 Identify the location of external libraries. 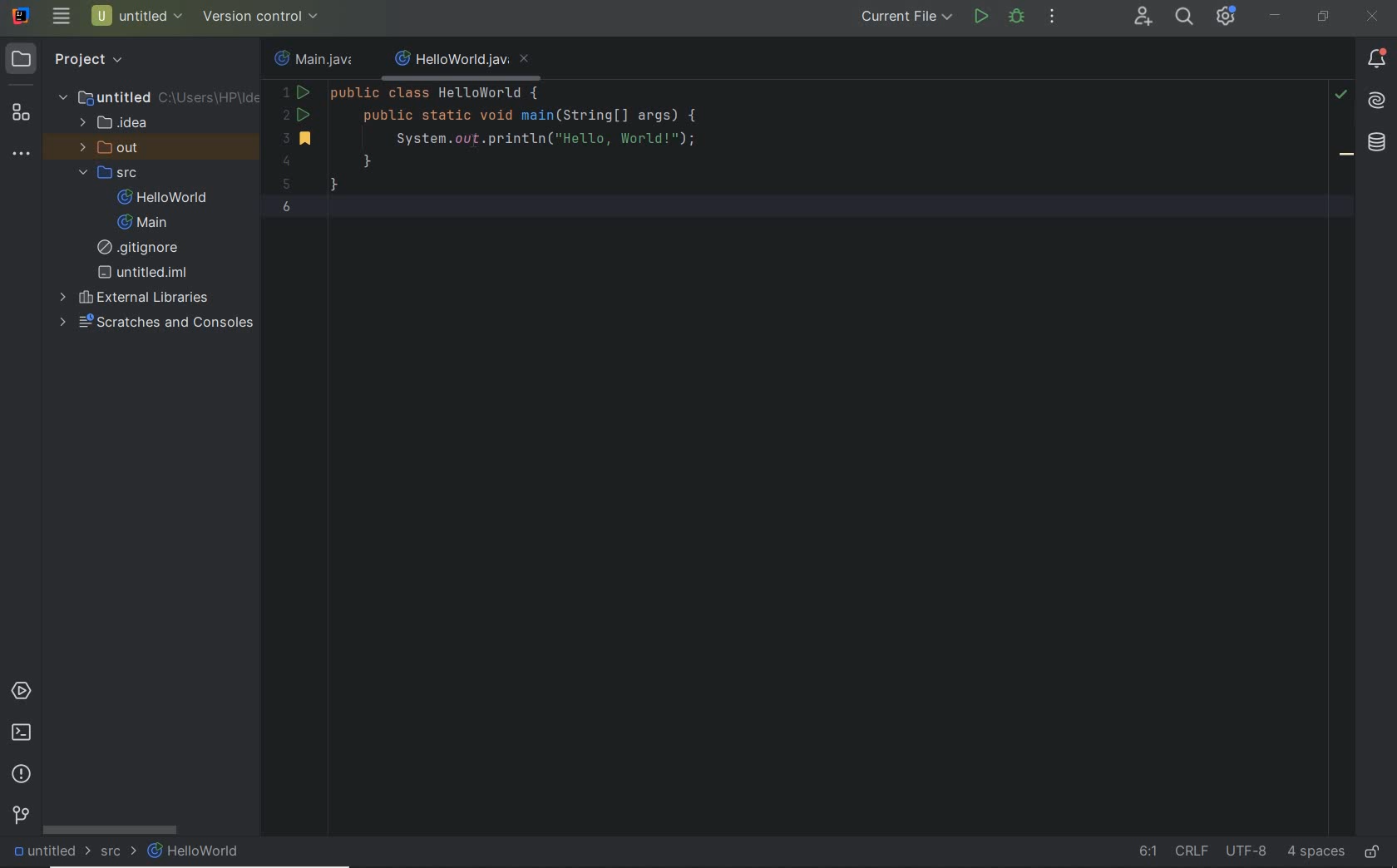
(136, 296).